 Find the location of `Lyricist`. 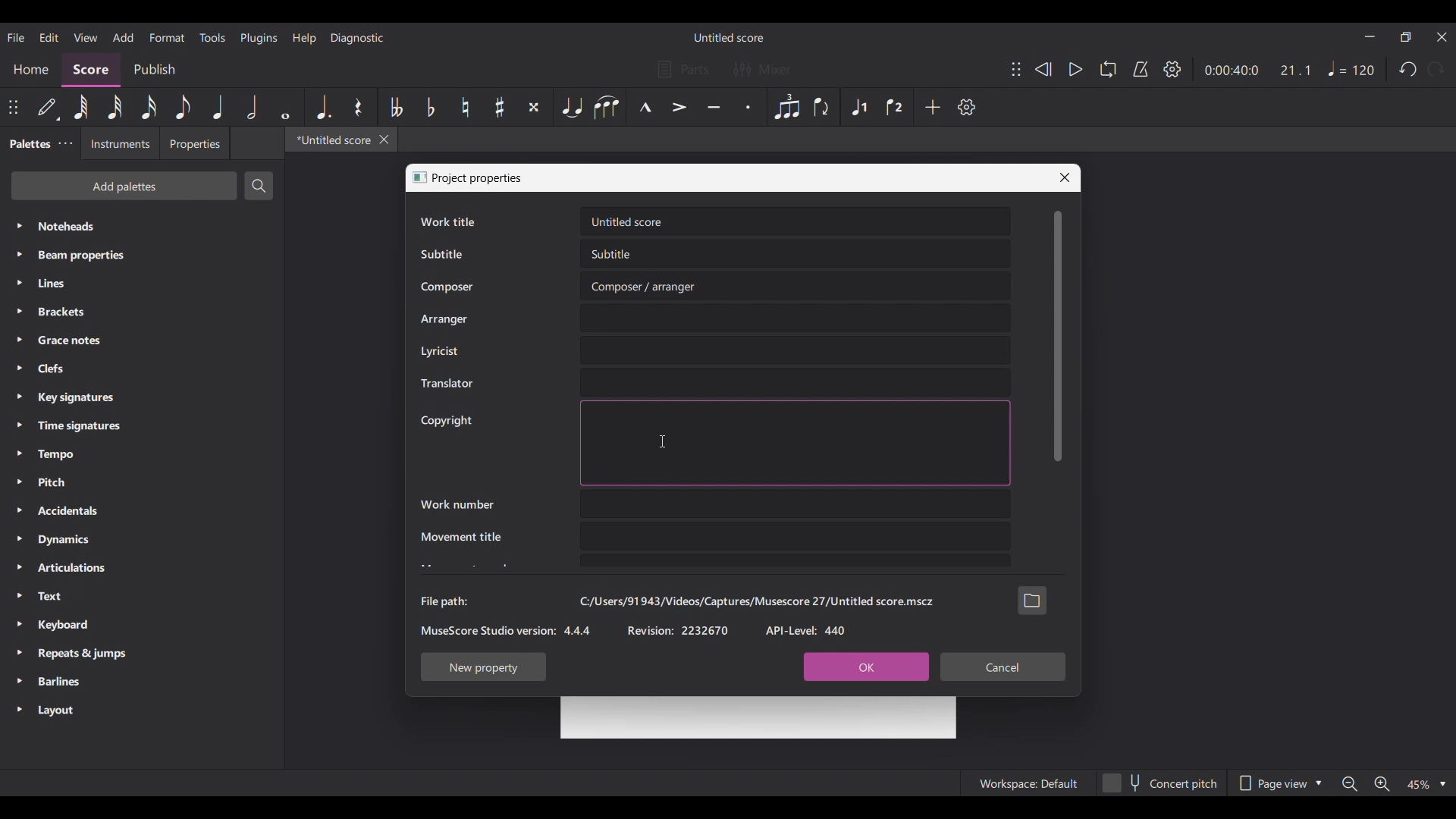

Lyricist is located at coordinates (439, 351).